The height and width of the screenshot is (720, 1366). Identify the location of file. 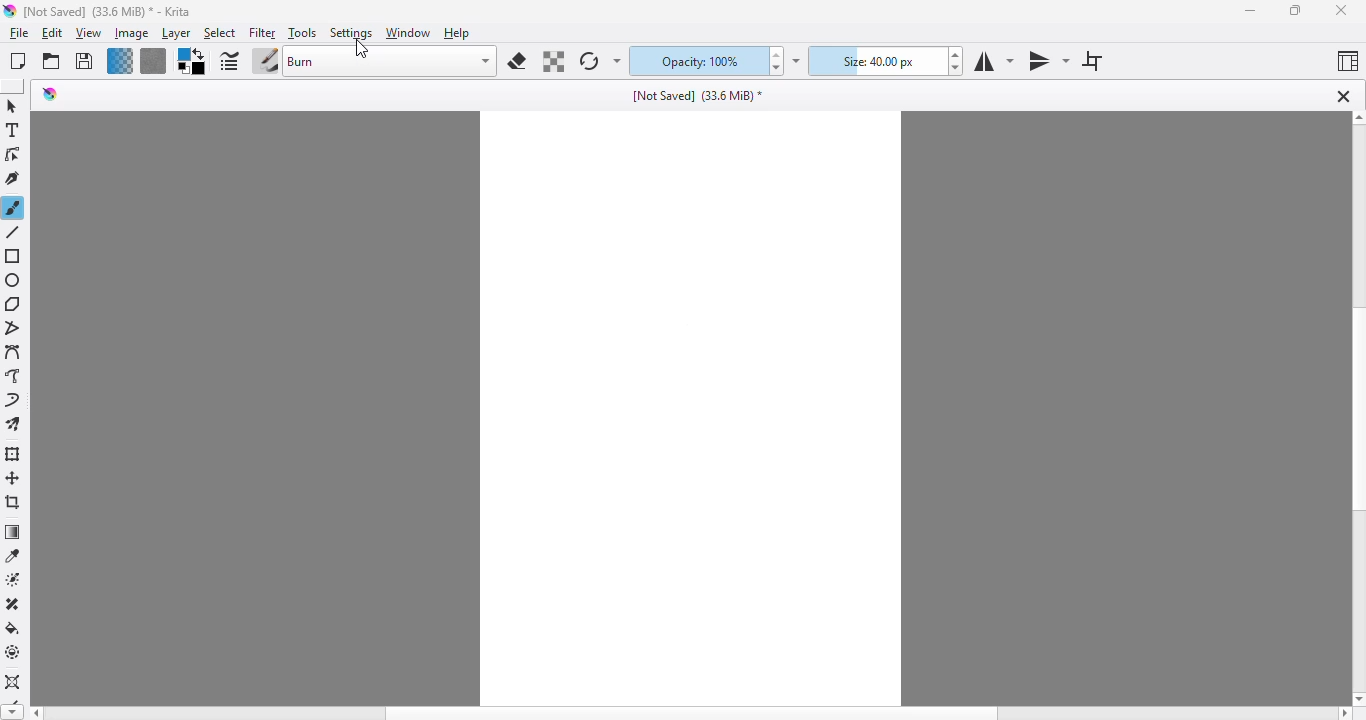
(19, 33).